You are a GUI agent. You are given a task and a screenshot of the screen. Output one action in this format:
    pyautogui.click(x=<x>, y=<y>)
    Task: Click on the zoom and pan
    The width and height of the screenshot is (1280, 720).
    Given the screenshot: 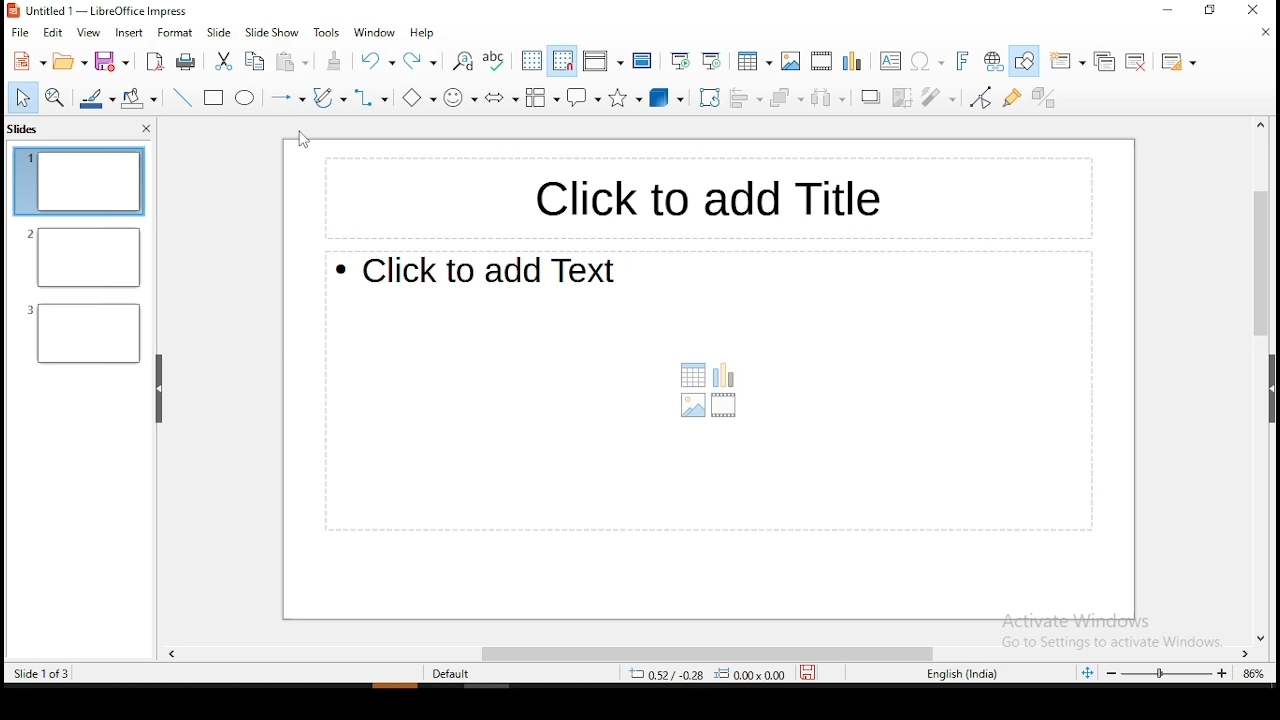 What is the action you would take?
    pyautogui.click(x=57, y=98)
    